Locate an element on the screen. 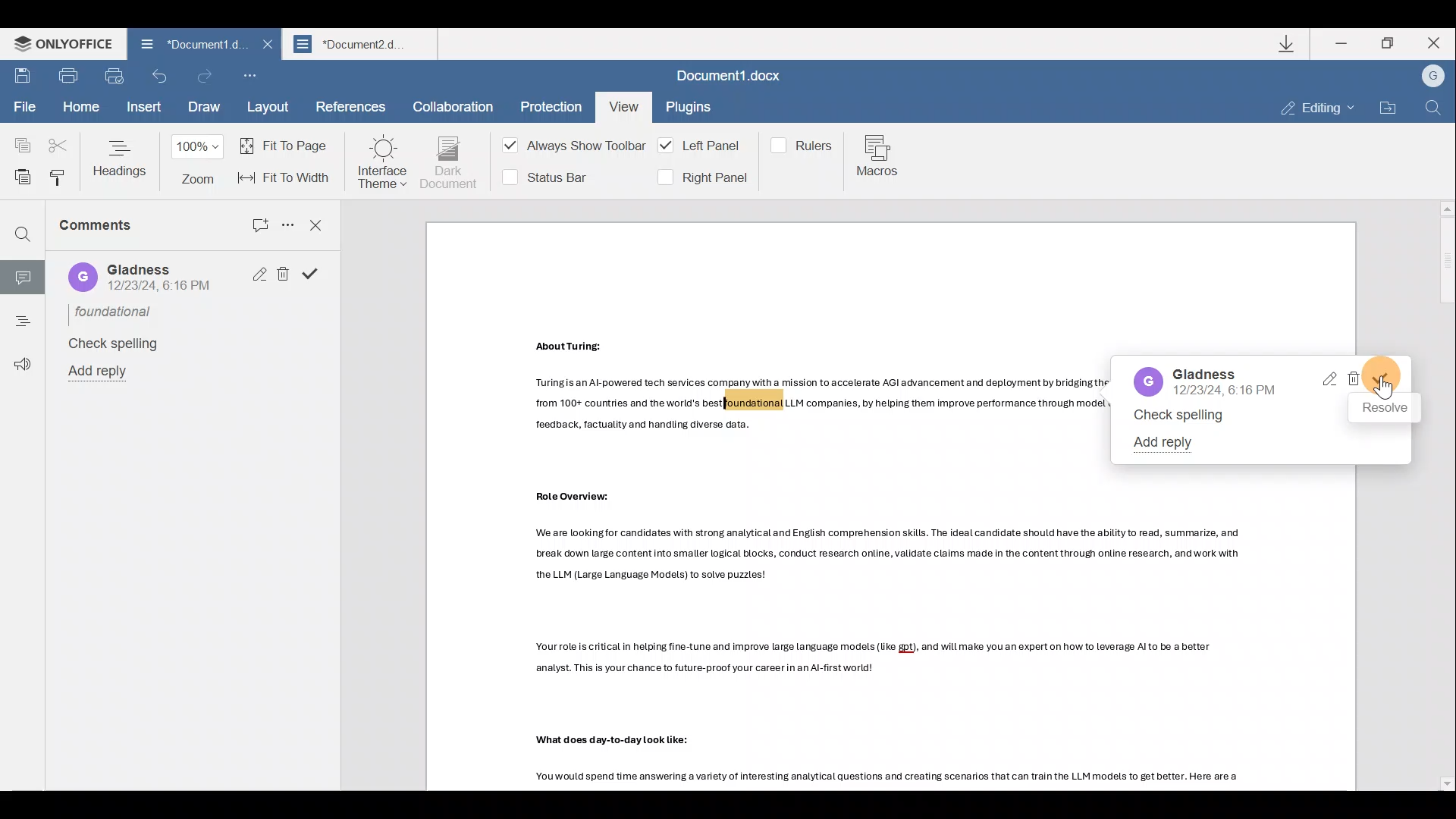 The width and height of the screenshot is (1456, 819). Edit is located at coordinates (1328, 380).